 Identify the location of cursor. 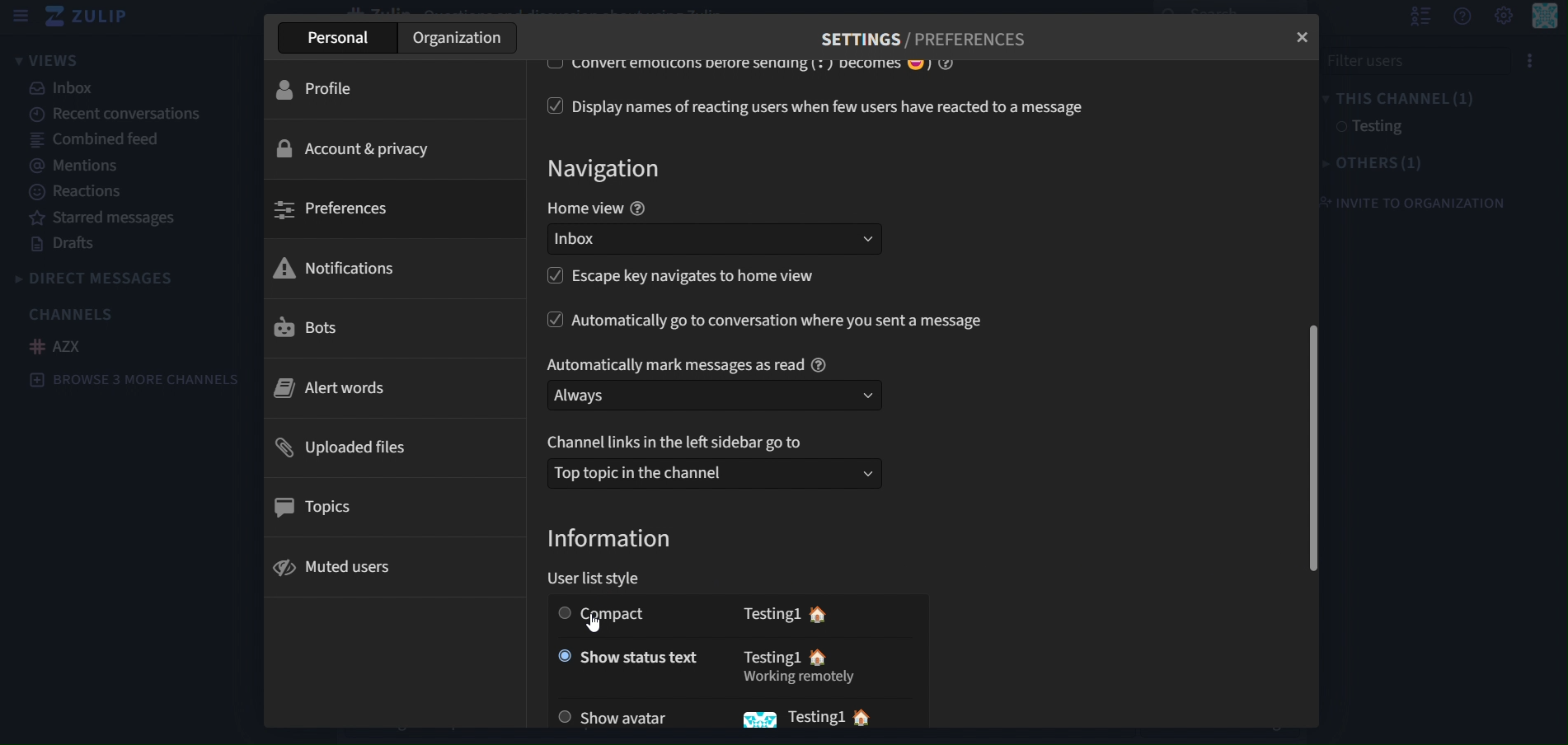
(598, 620).